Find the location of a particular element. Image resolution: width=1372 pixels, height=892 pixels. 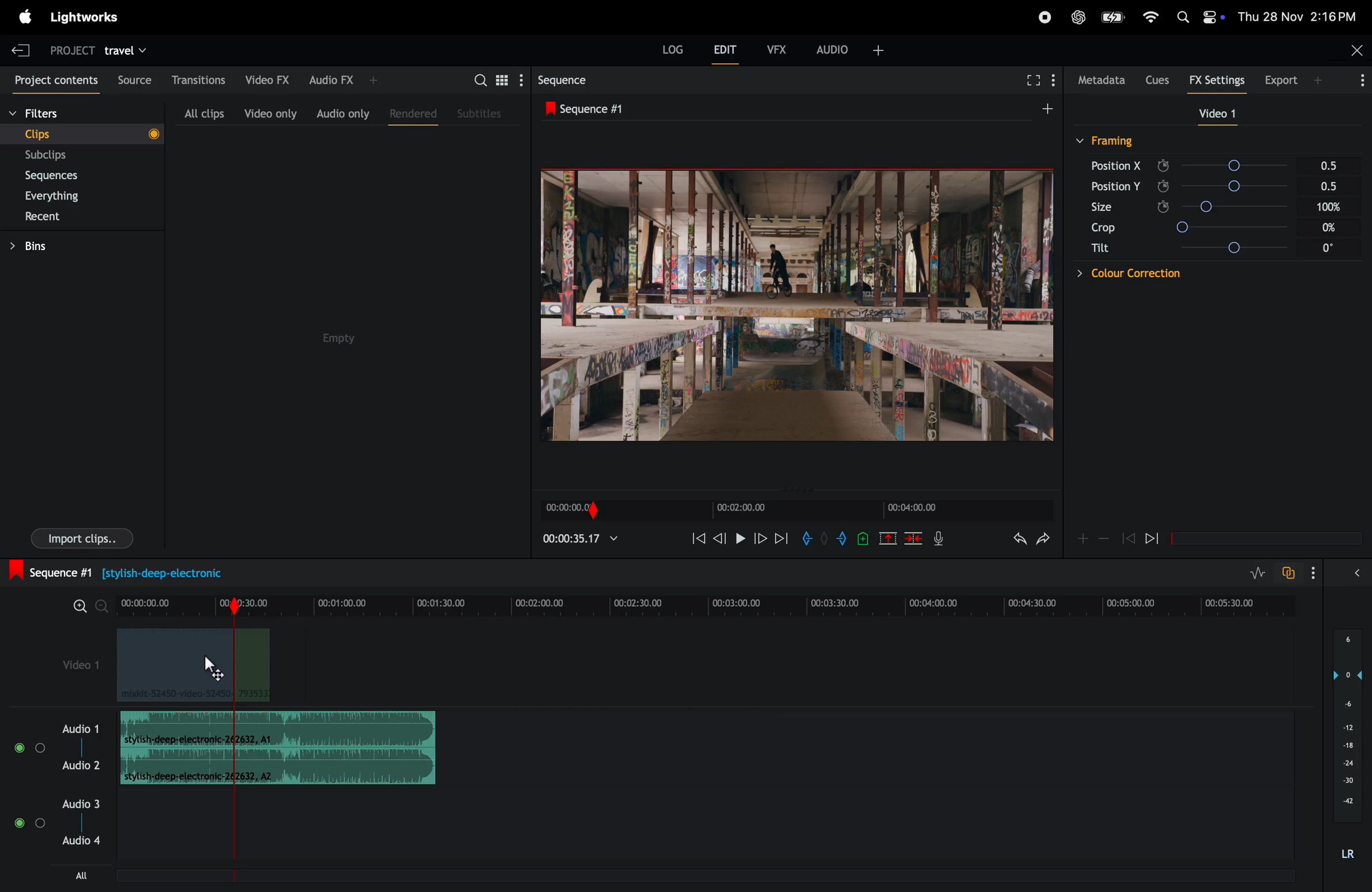

travel is located at coordinates (126, 50).